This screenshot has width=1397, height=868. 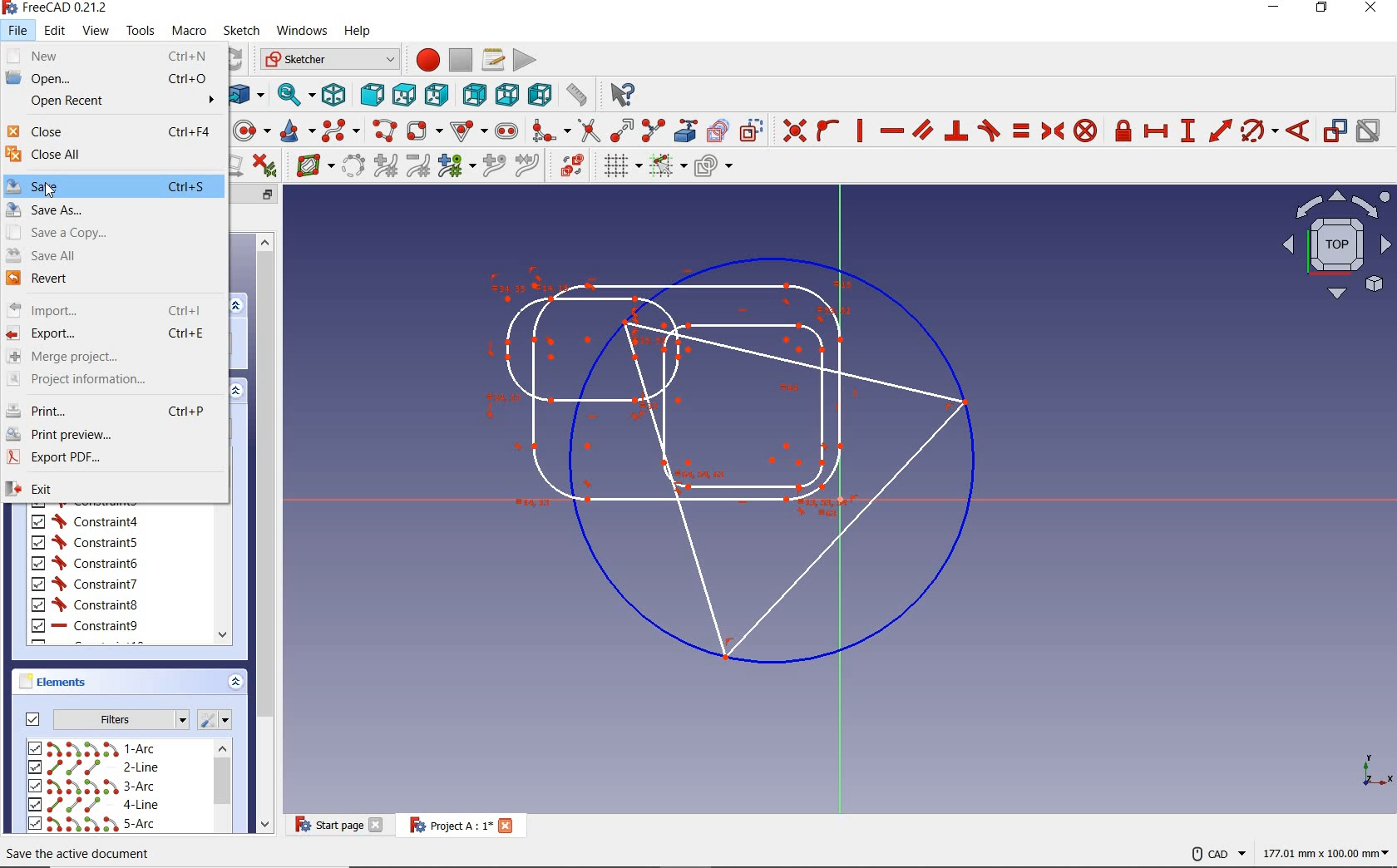 I want to click on show/hide b-spline information layer, so click(x=311, y=165).